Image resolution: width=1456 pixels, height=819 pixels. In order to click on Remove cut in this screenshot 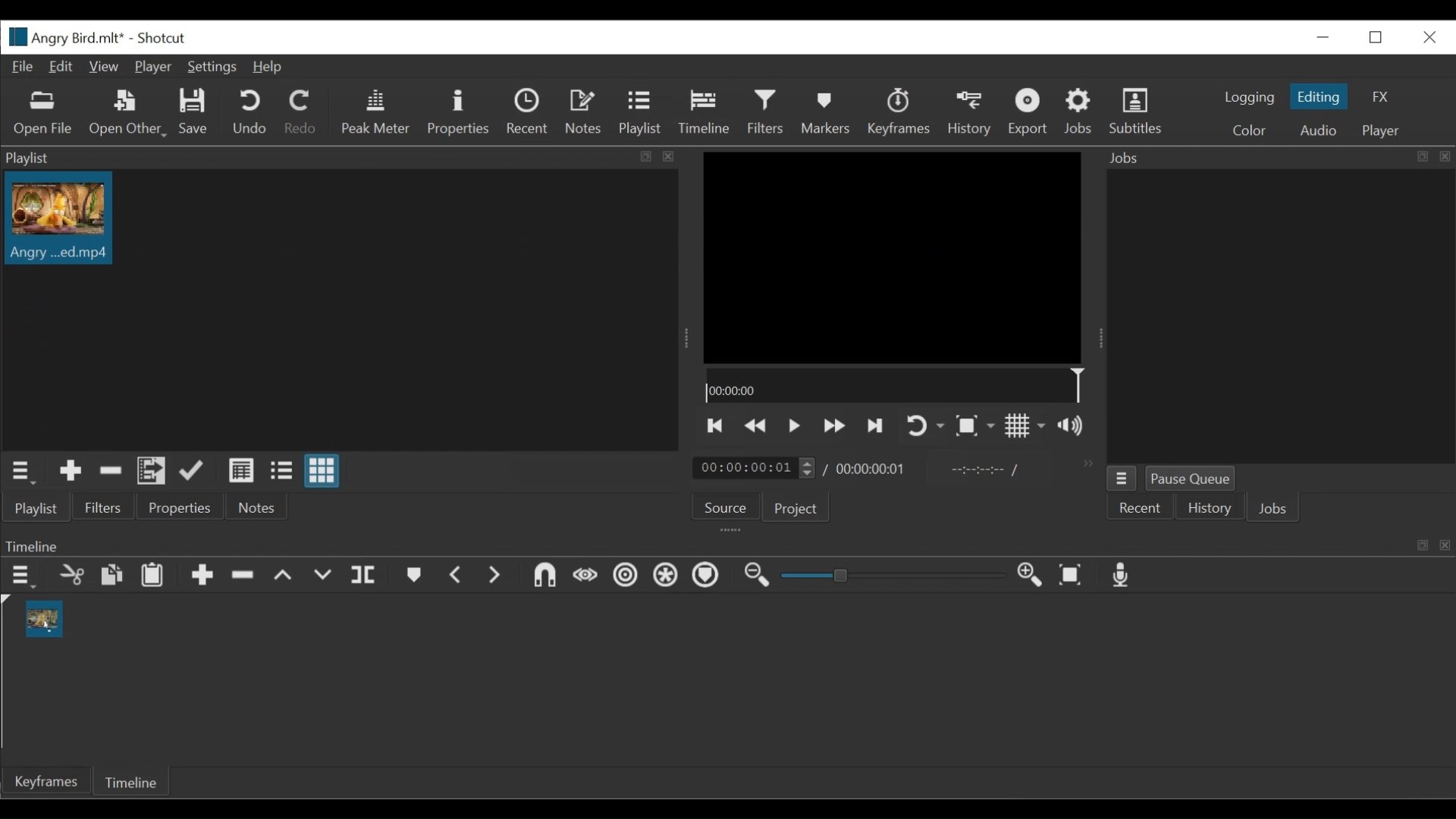, I will do `click(243, 573)`.